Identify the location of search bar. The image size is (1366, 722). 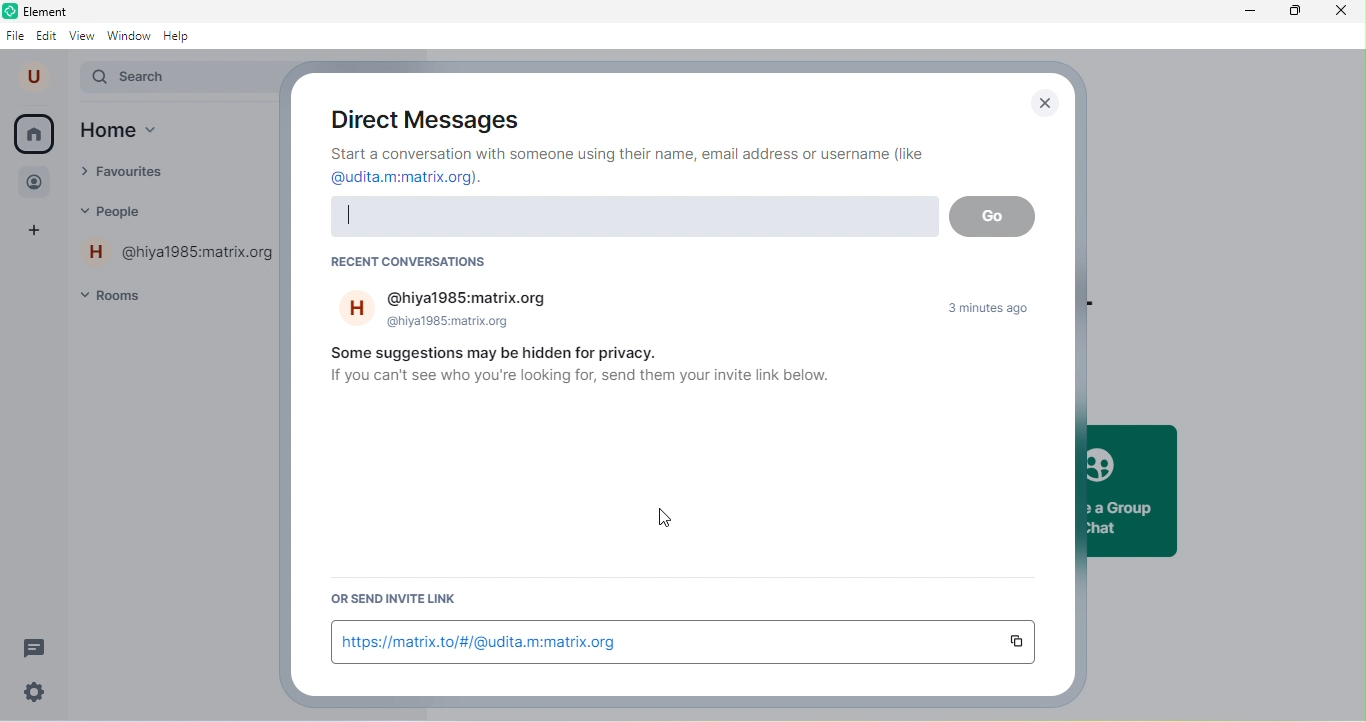
(631, 217).